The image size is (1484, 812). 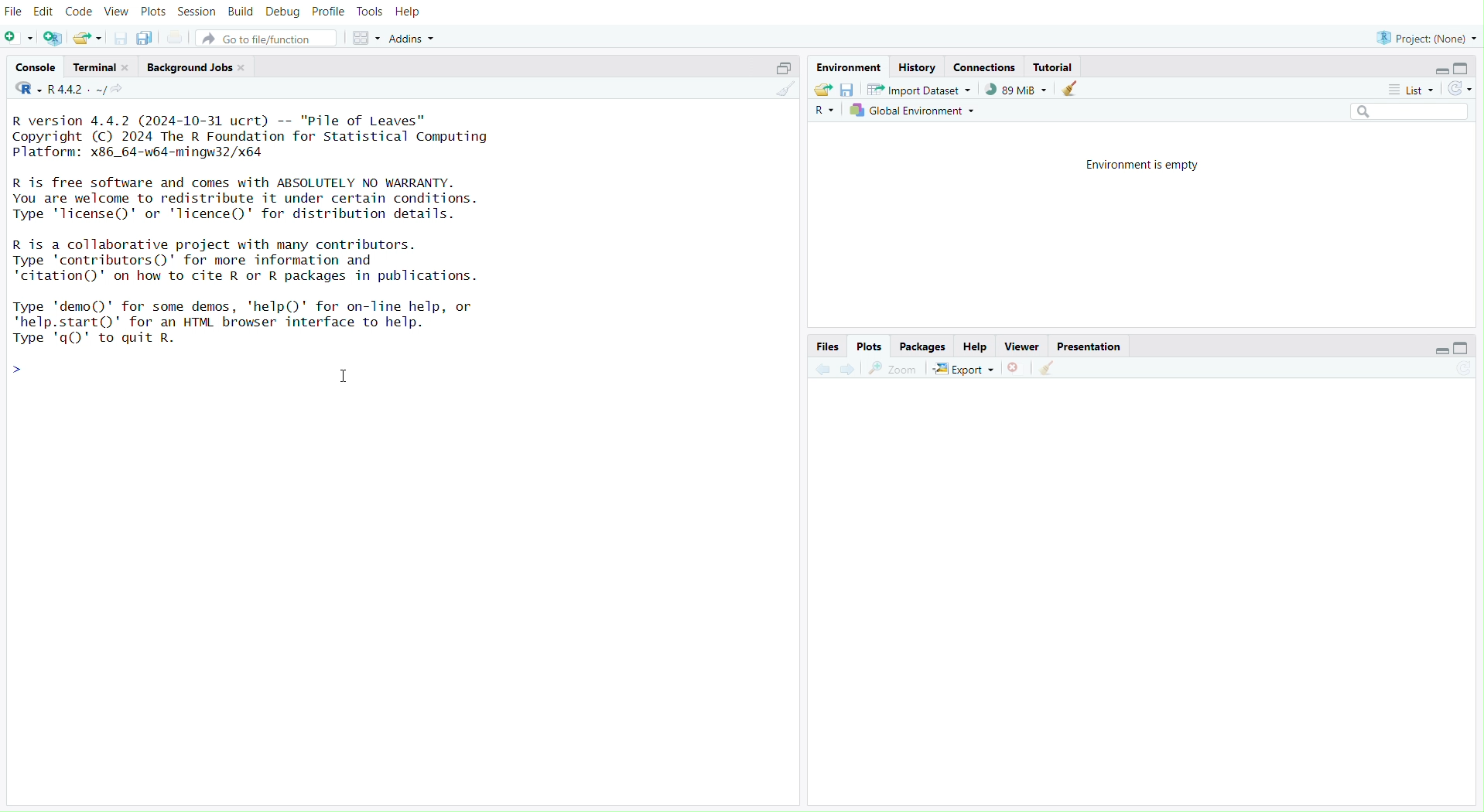 What do you see at coordinates (1018, 367) in the screenshot?
I see `Close` at bounding box center [1018, 367].